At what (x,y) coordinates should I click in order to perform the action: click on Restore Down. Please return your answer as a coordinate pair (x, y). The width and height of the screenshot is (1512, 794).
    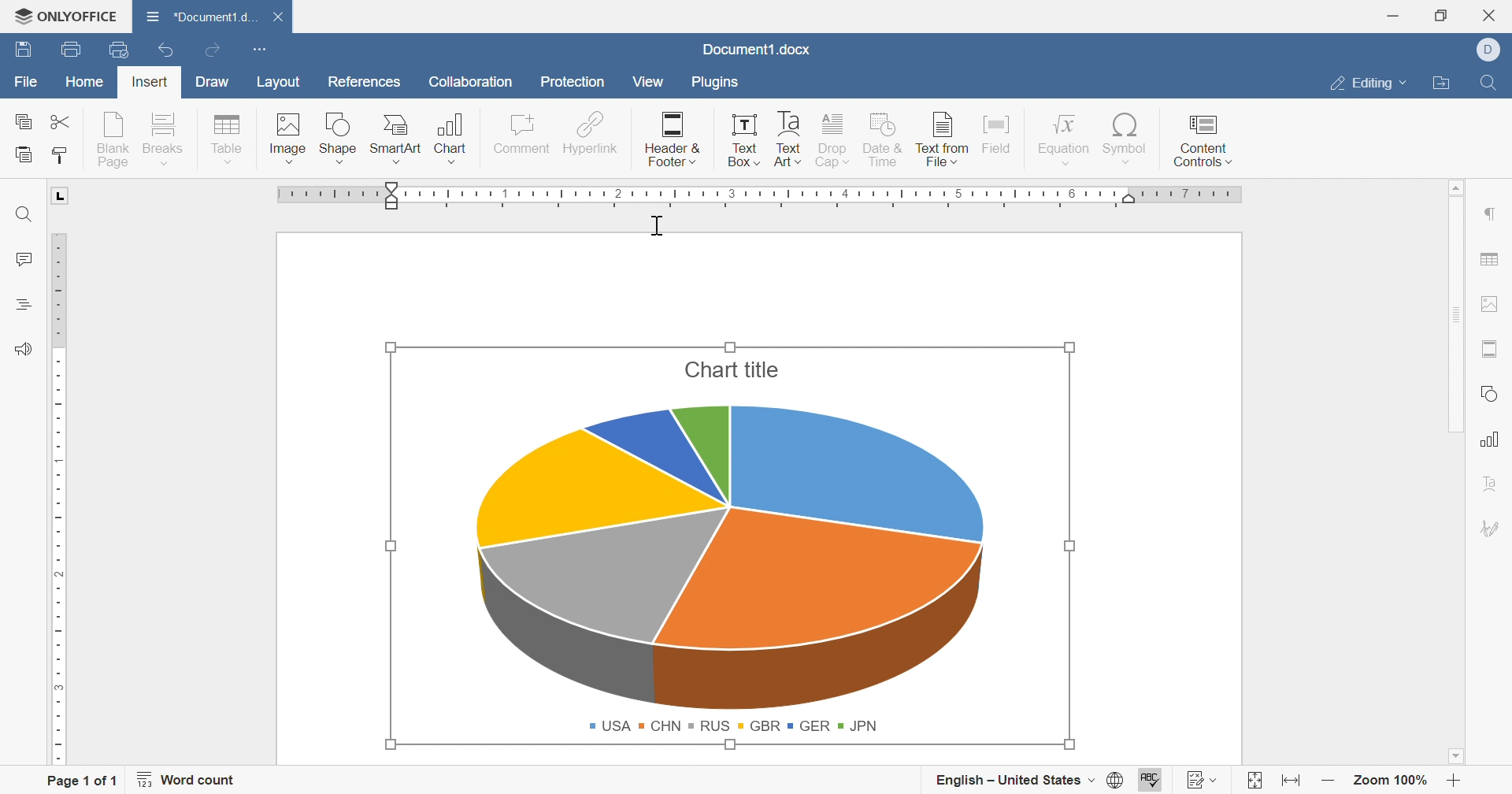
    Looking at the image, I should click on (1443, 15).